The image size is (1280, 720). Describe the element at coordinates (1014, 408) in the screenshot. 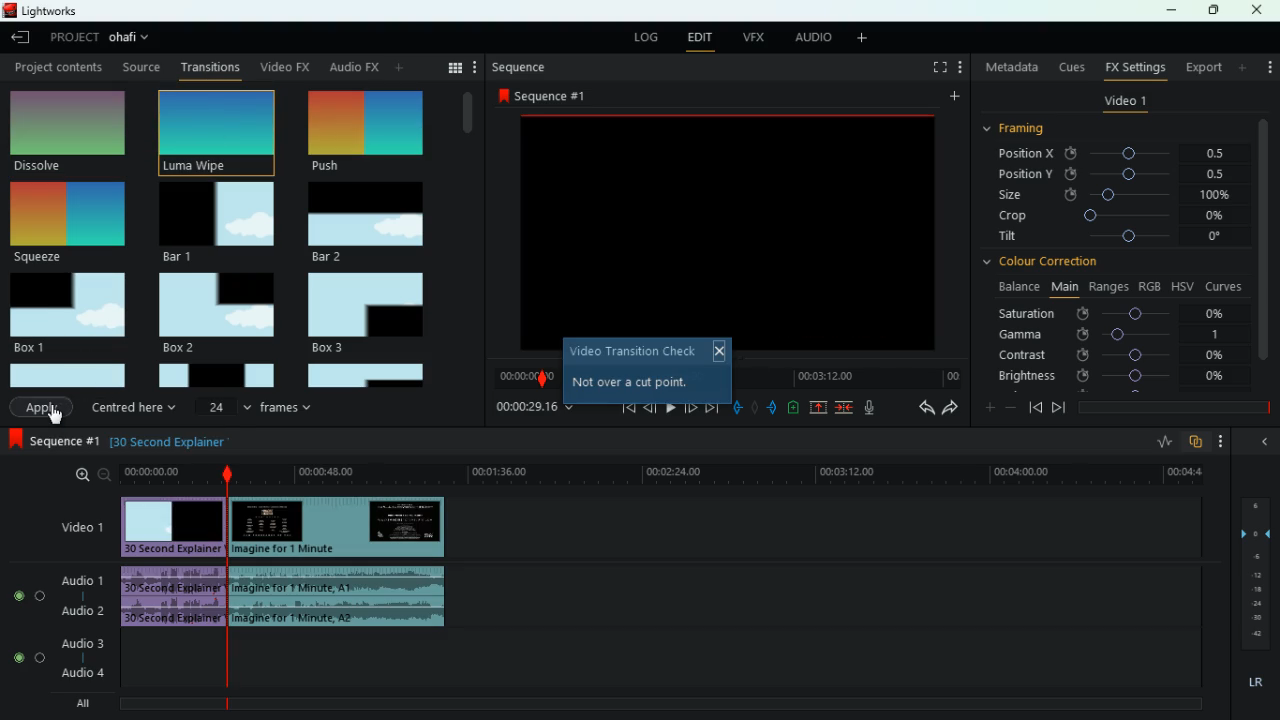

I see `minus` at that location.